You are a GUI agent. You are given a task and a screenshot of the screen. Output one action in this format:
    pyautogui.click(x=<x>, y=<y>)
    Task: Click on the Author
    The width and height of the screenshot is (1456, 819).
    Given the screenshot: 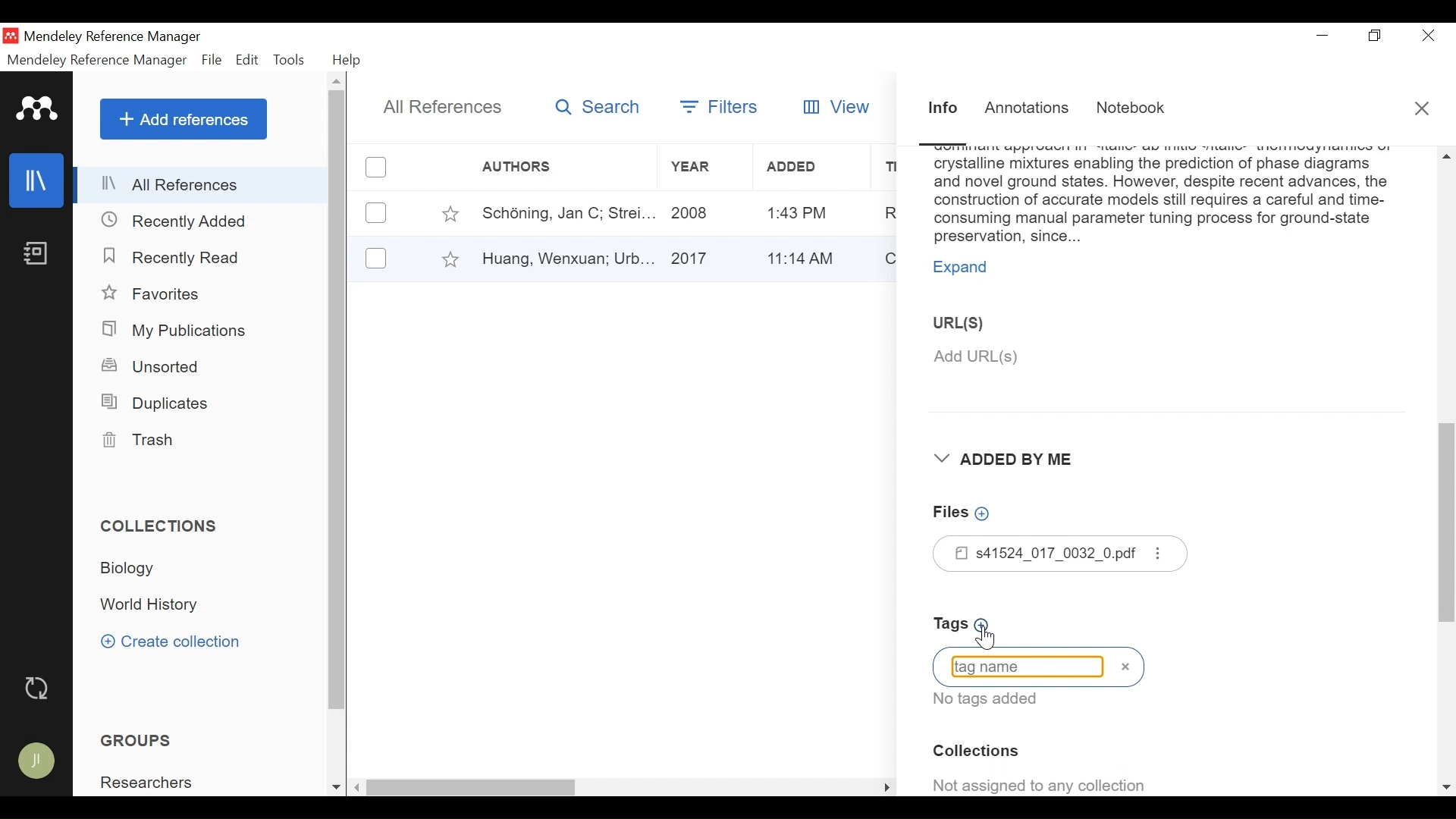 What is the action you would take?
    pyautogui.click(x=566, y=257)
    